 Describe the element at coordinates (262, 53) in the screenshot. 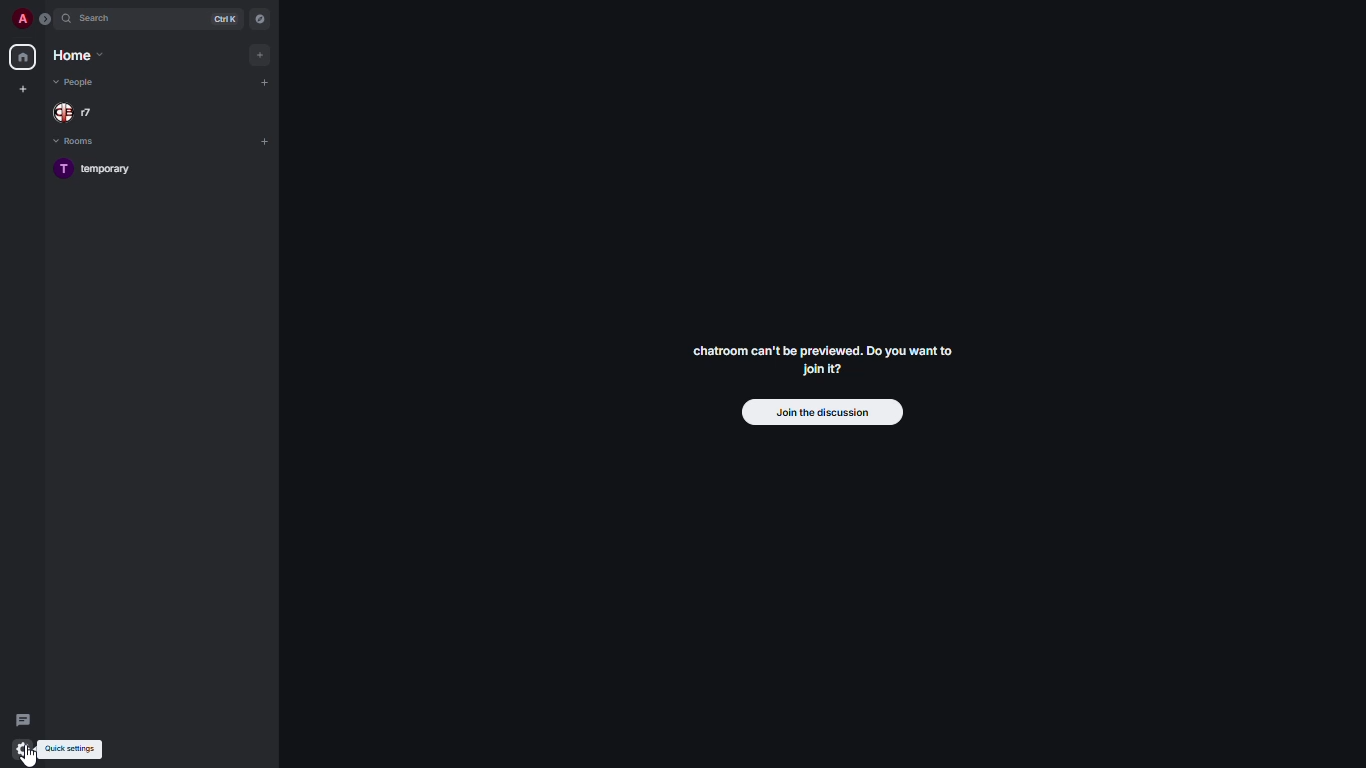

I see `add` at that location.